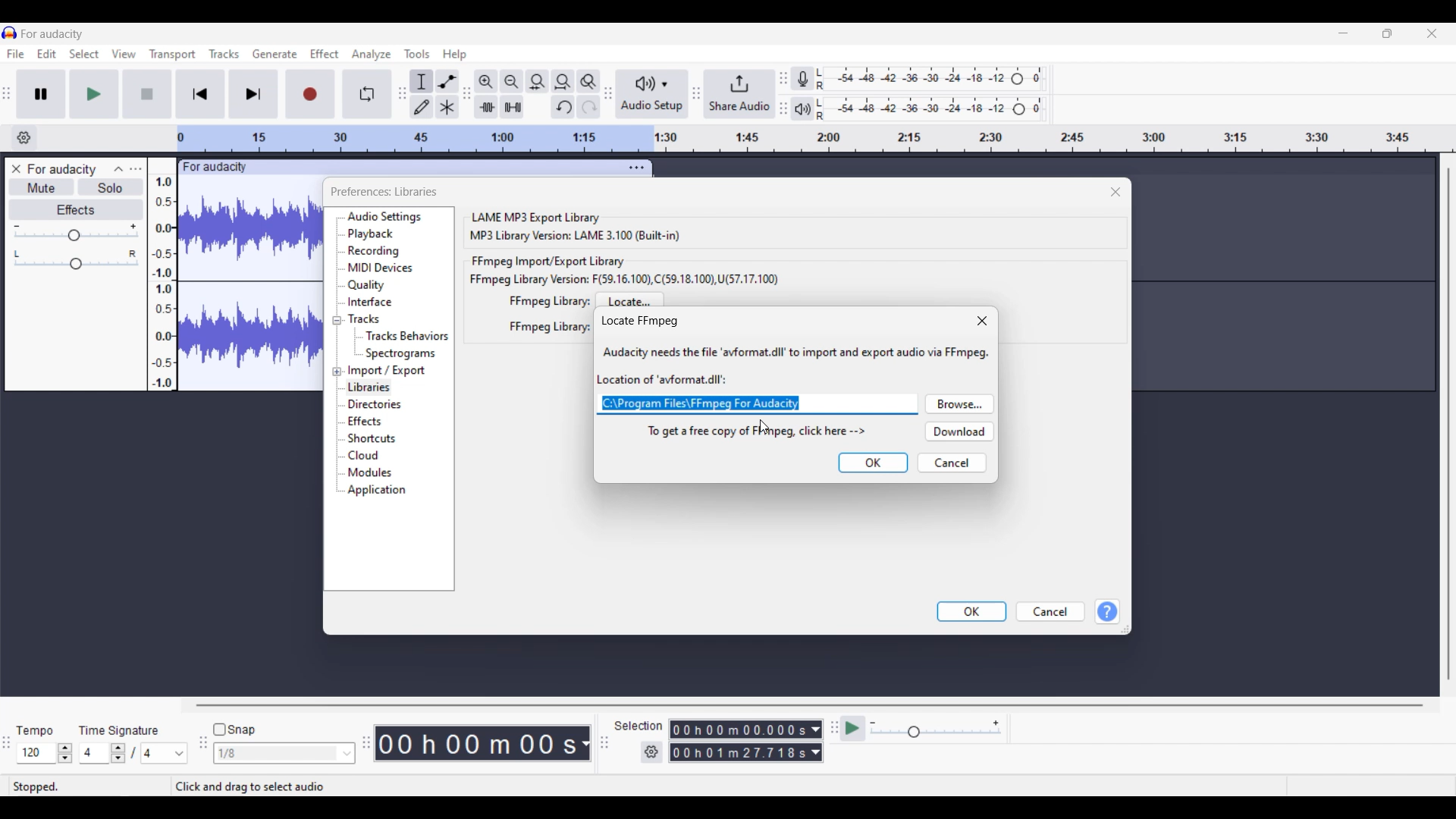  I want to click on Generate menu, so click(275, 54).